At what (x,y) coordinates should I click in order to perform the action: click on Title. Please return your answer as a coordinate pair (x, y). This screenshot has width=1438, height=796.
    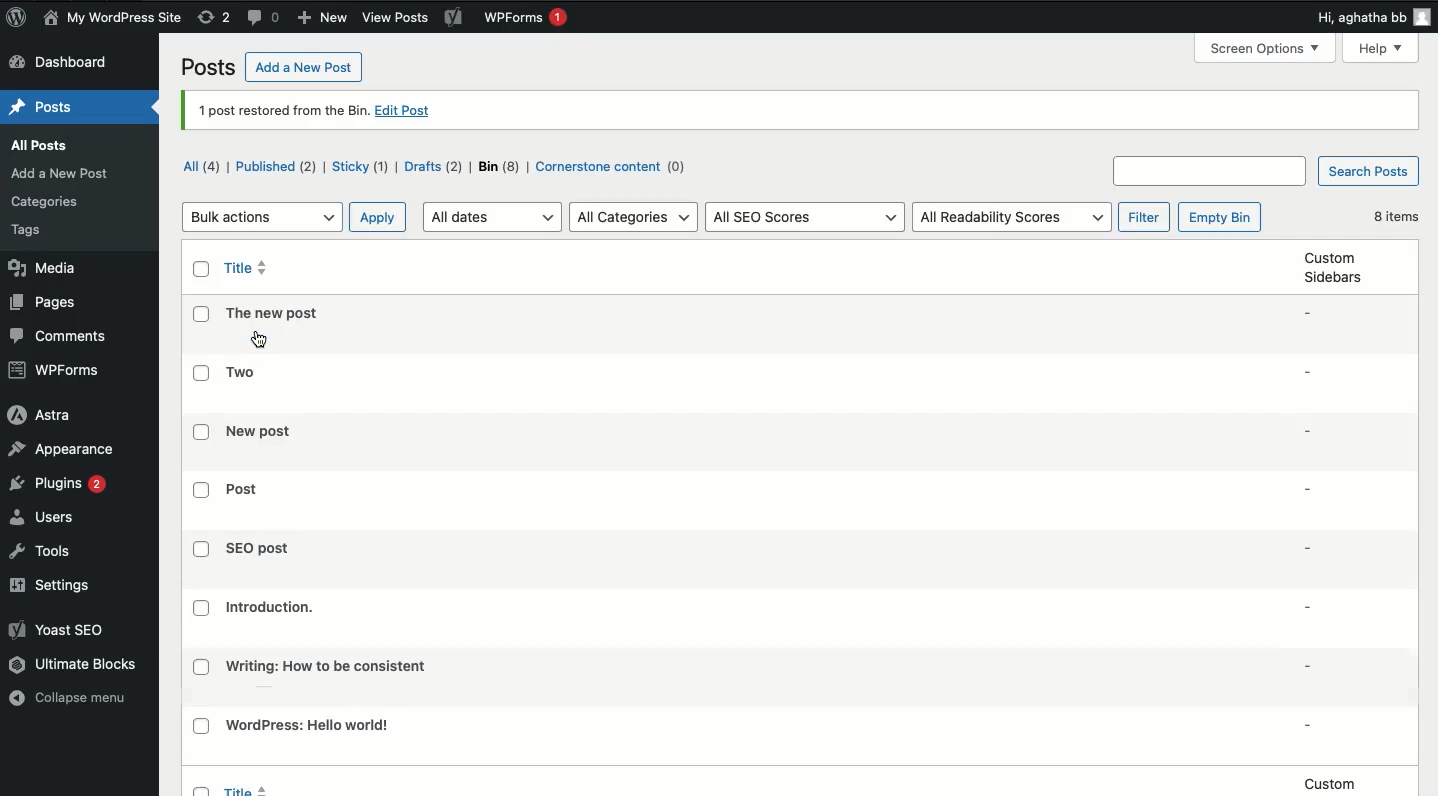
    Looking at the image, I should click on (258, 547).